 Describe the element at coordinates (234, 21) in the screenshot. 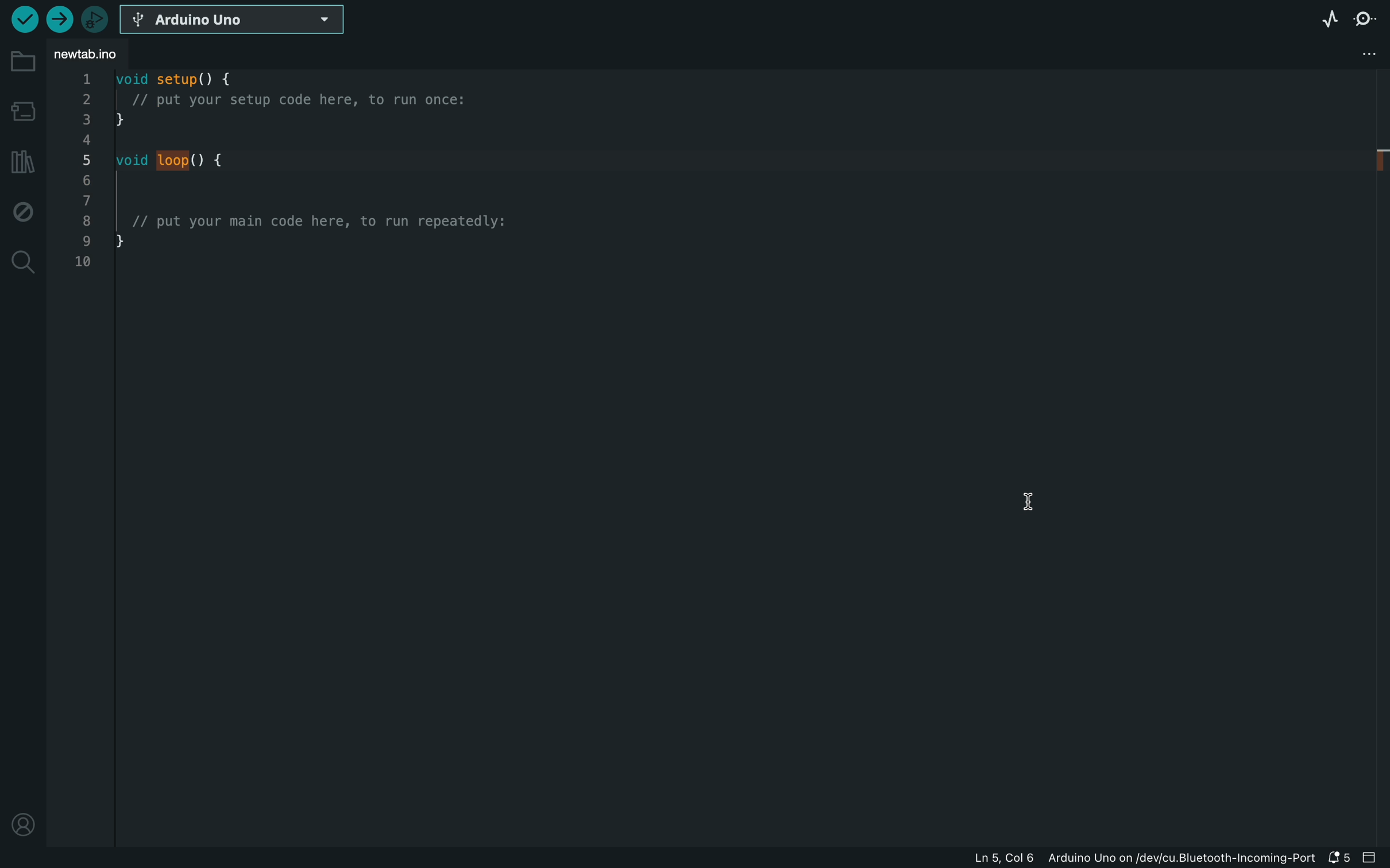

I see `board selecter` at that location.